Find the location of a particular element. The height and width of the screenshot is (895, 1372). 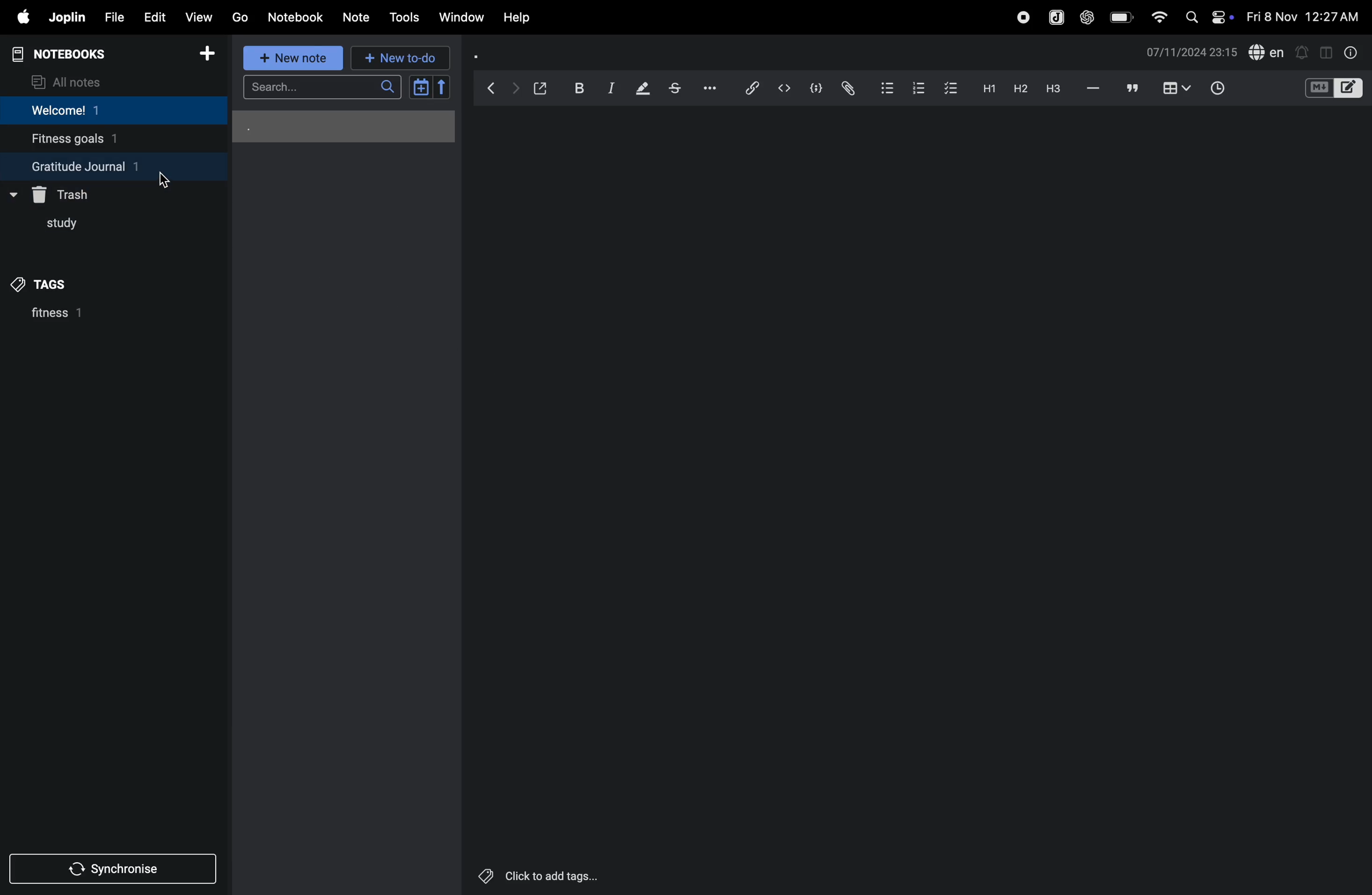

help is located at coordinates (517, 18).